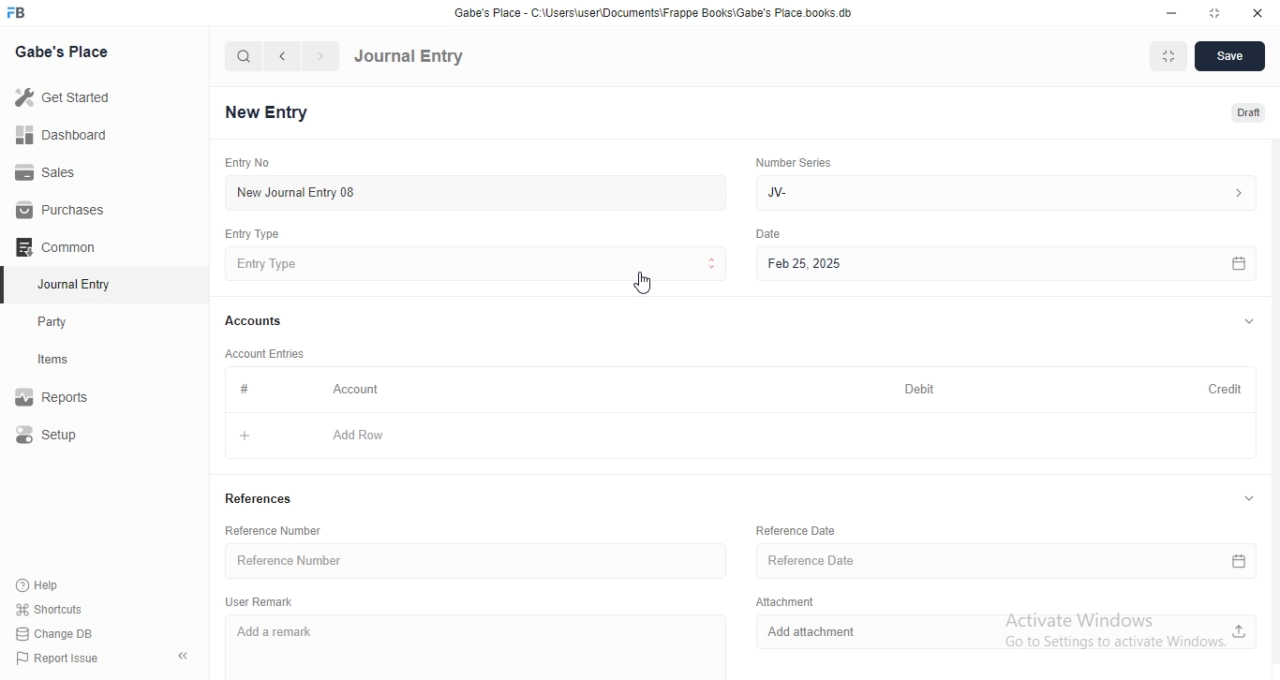 The height and width of the screenshot is (680, 1280). I want to click on selected, so click(8, 286).